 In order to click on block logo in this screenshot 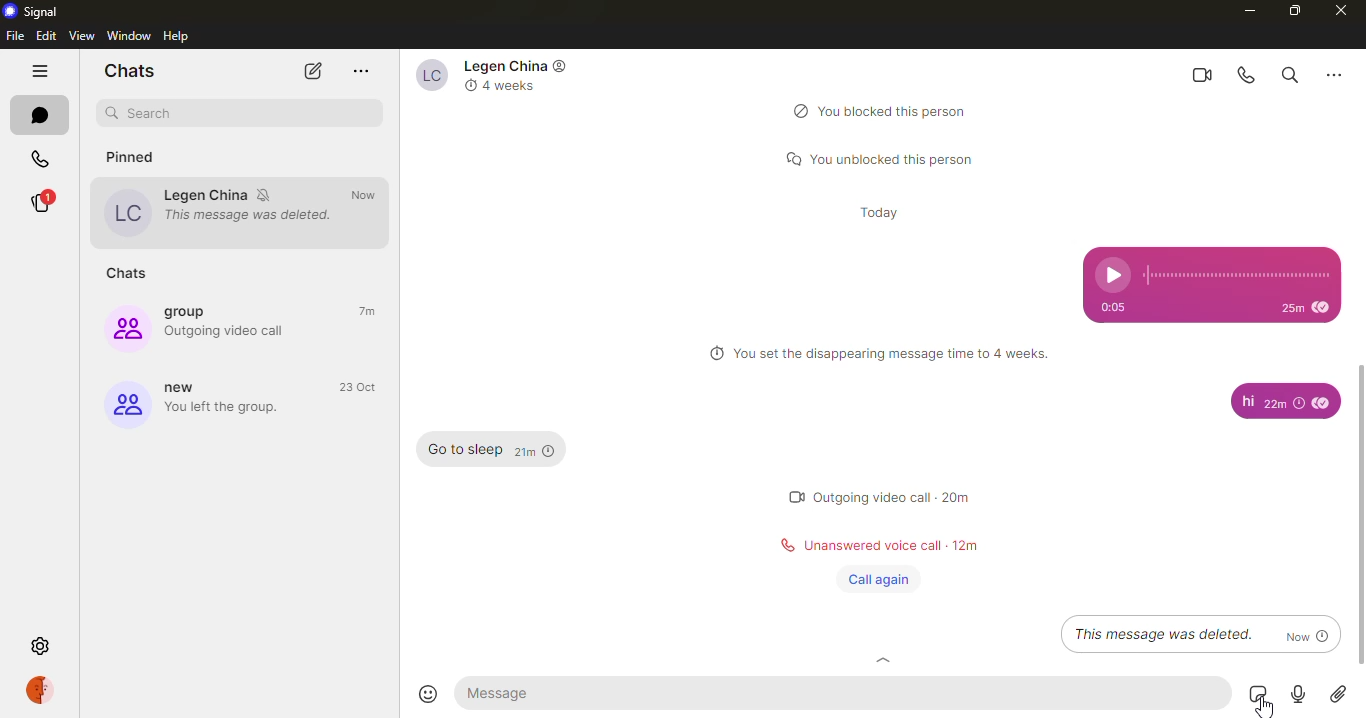, I will do `click(797, 110)`.